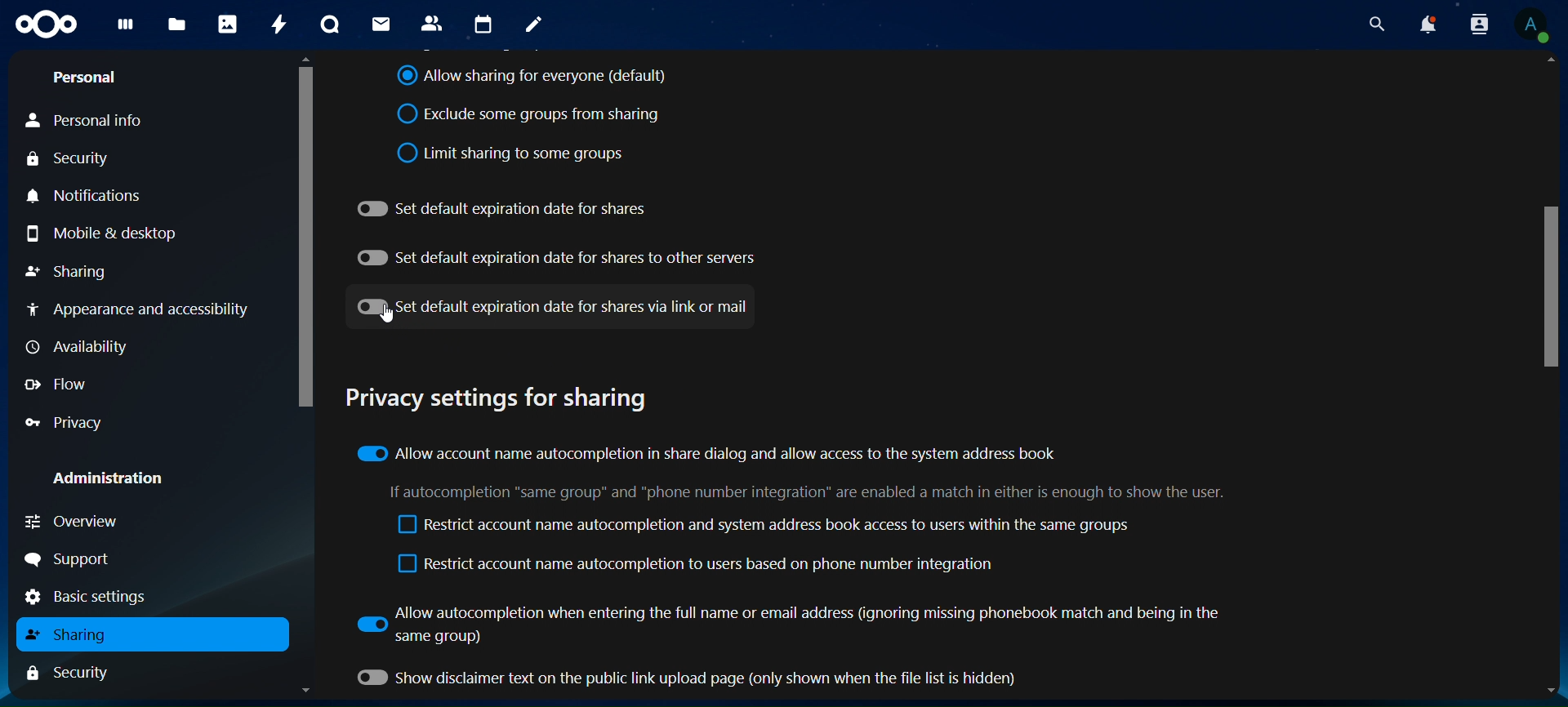 This screenshot has height=707, width=1568. I want to click on icon, so click(44, 26).